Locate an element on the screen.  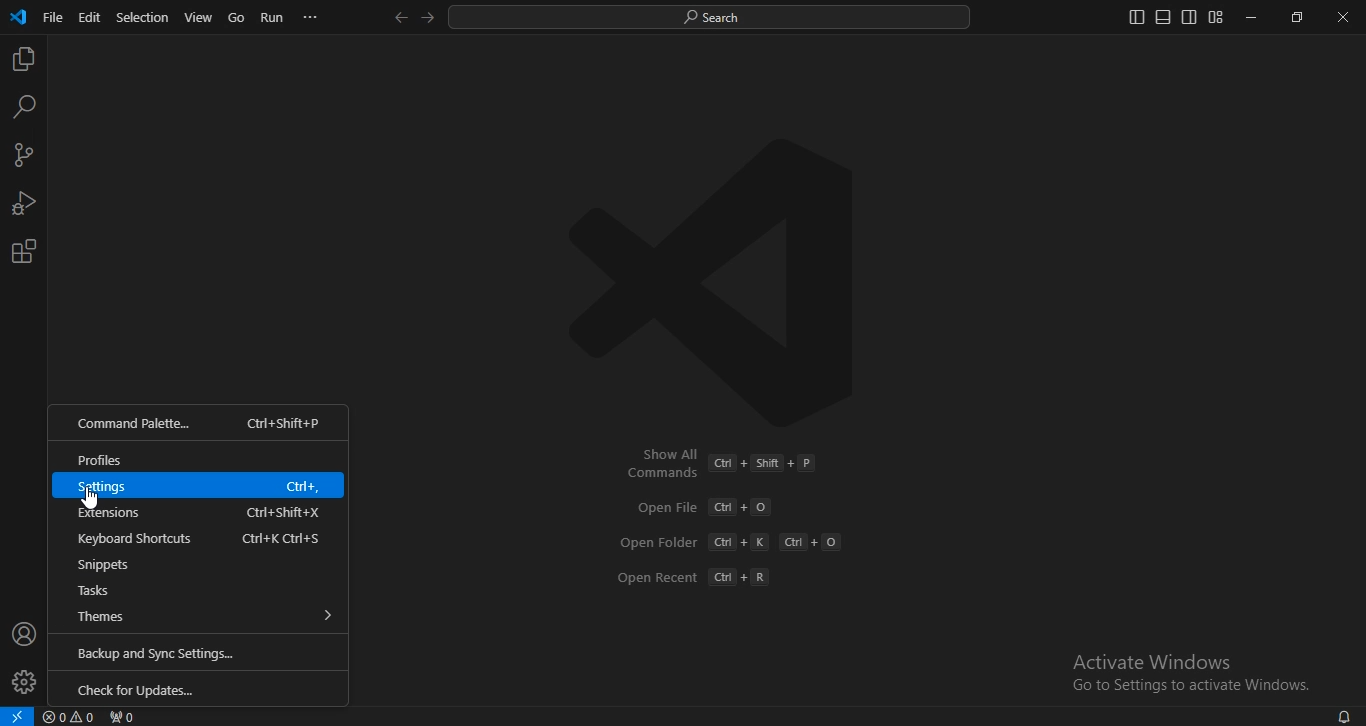
ettings is located at coordinates (204, 485).